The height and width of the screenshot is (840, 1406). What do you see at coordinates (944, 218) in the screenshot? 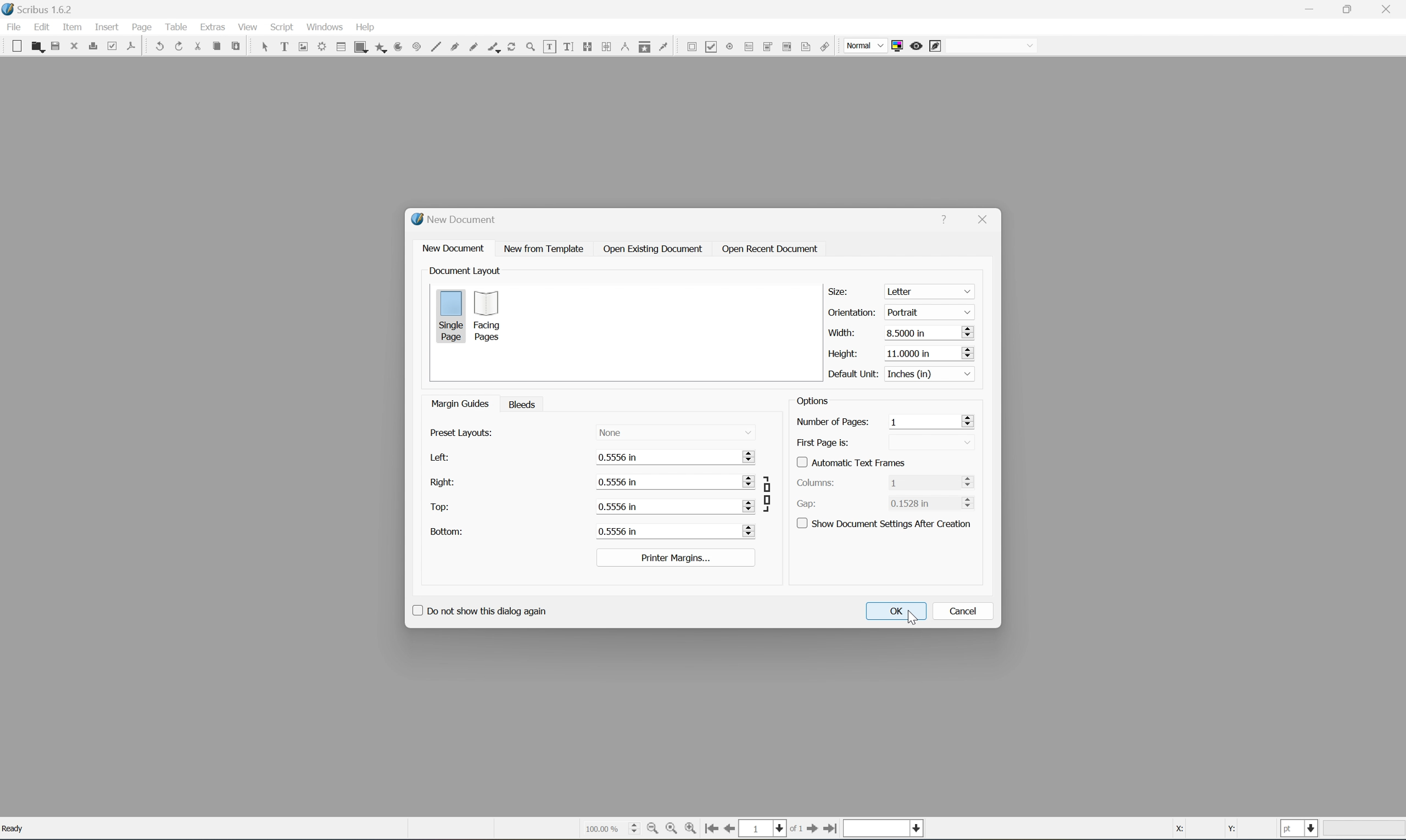
I see `help` at bounding box center [944, 218].